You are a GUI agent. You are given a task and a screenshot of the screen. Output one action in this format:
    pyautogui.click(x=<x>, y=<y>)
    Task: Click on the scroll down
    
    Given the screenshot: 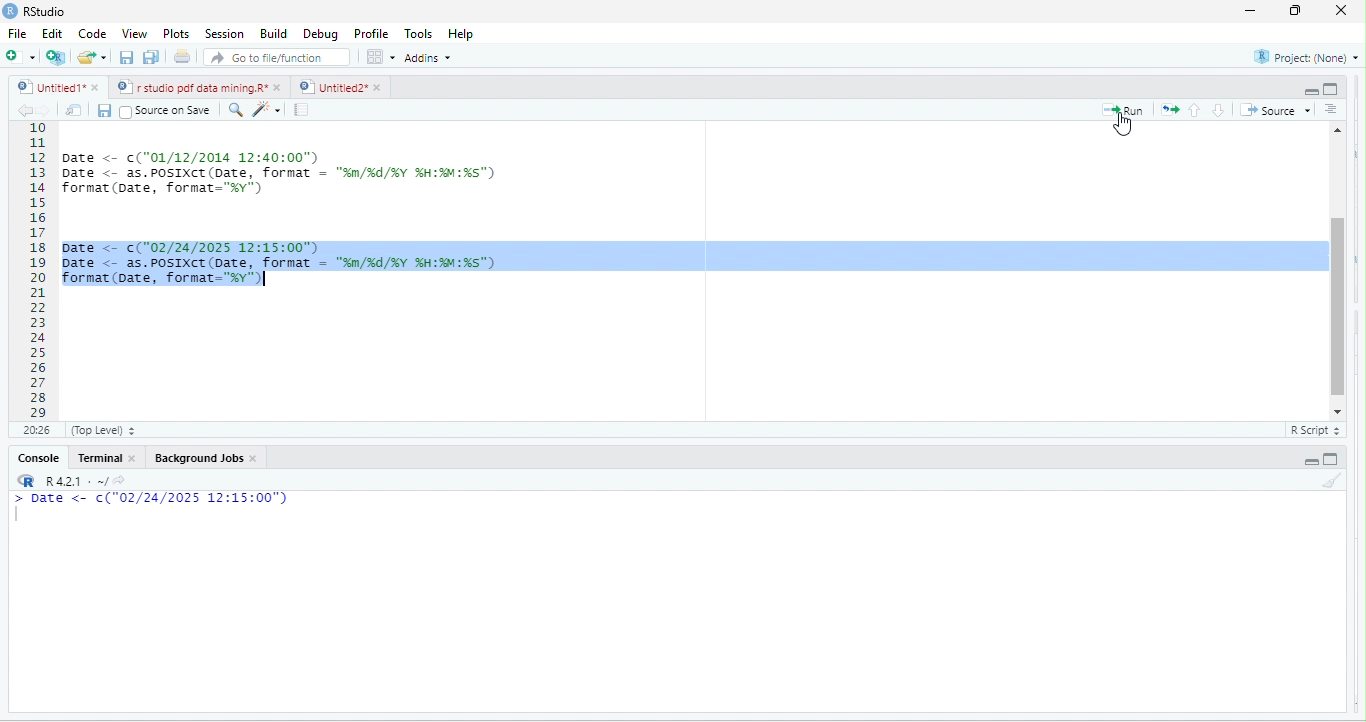 What is the action you would take?
    pyautogui.click(x=1337, y=411)
    